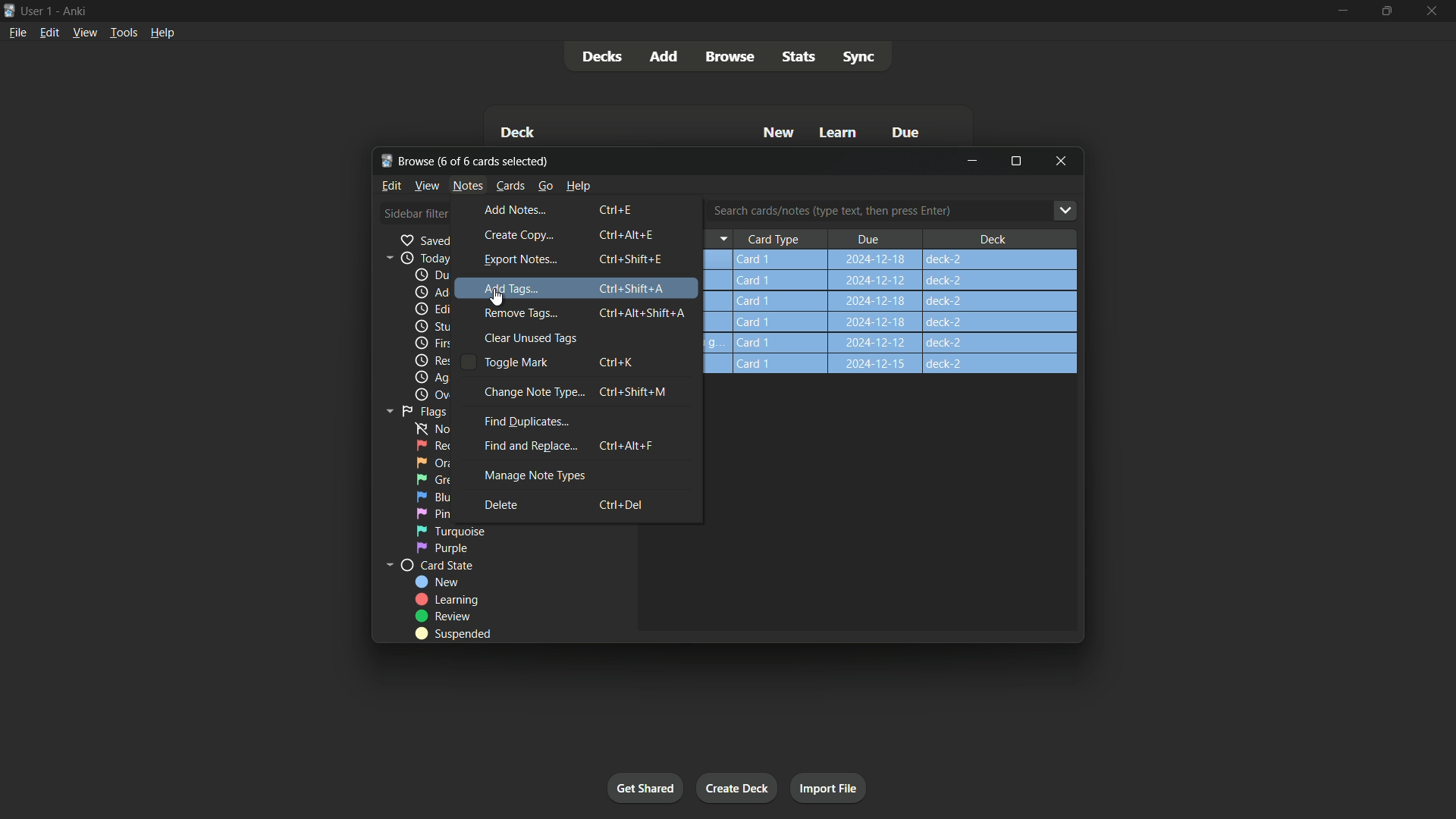 The width and height of the screenshot is (1456, 819). What do you see at coordinates (523, 418) in the screenshot?
I see `find duplicates` at bounding box center [523, 418].